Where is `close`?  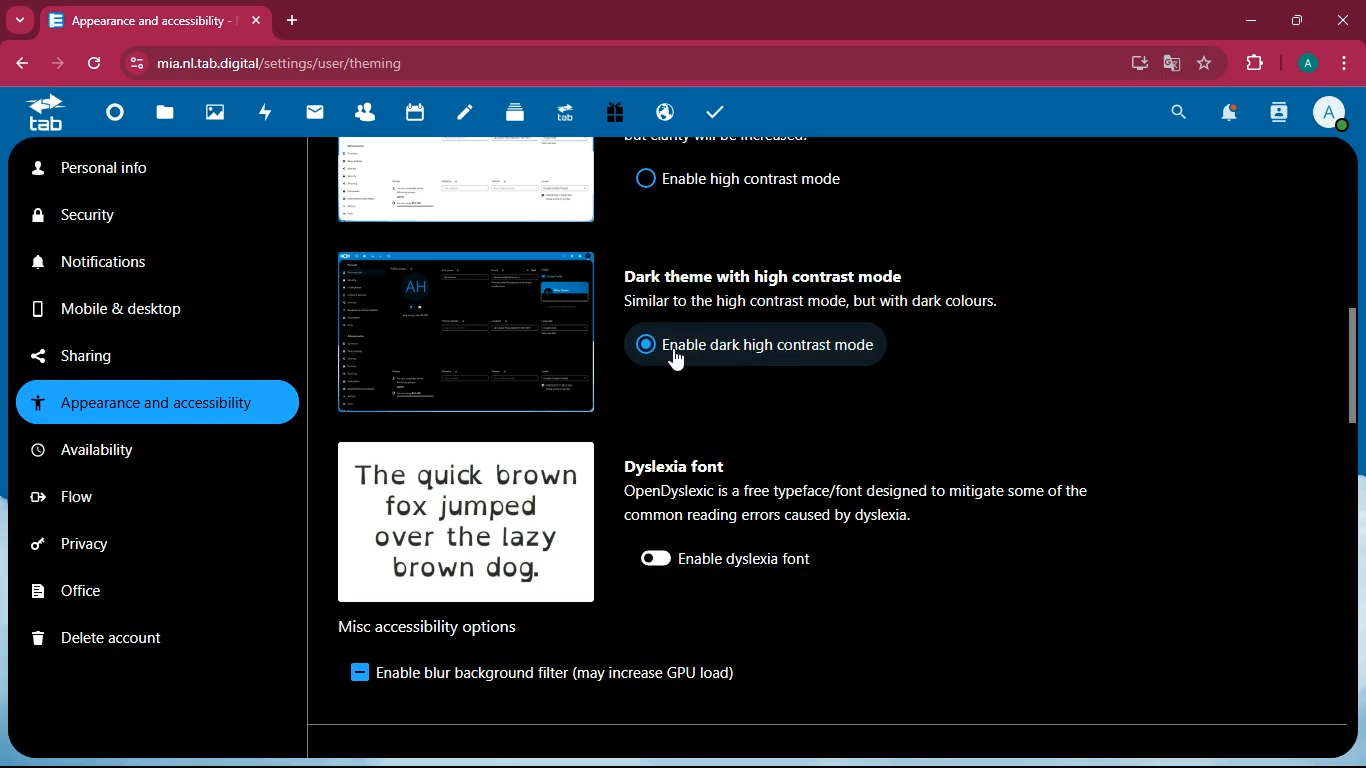 close is located at coordinates (258, 21).